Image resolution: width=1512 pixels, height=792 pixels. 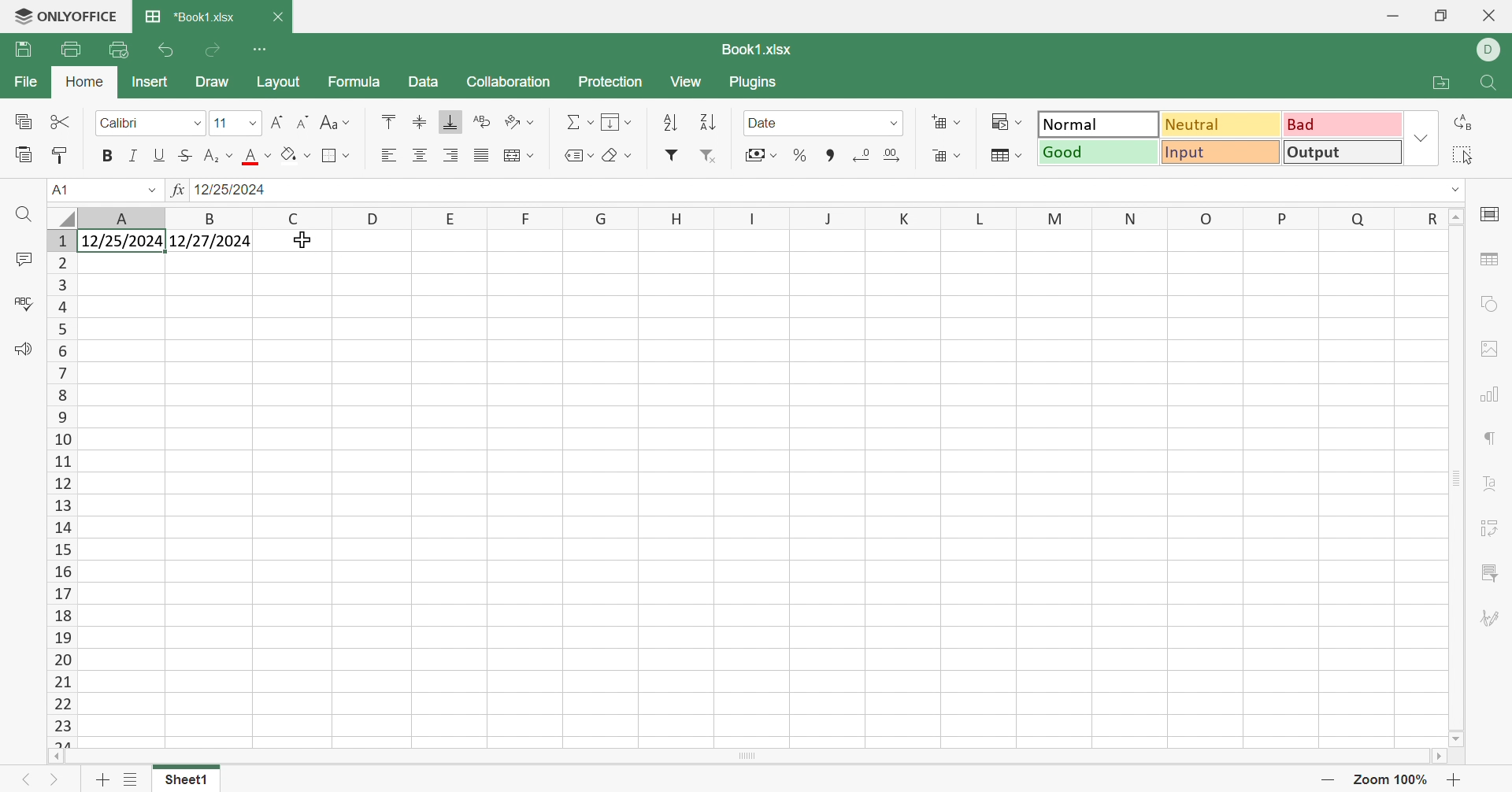 I want to click on Strikethrough, so click(x=185, y=155).